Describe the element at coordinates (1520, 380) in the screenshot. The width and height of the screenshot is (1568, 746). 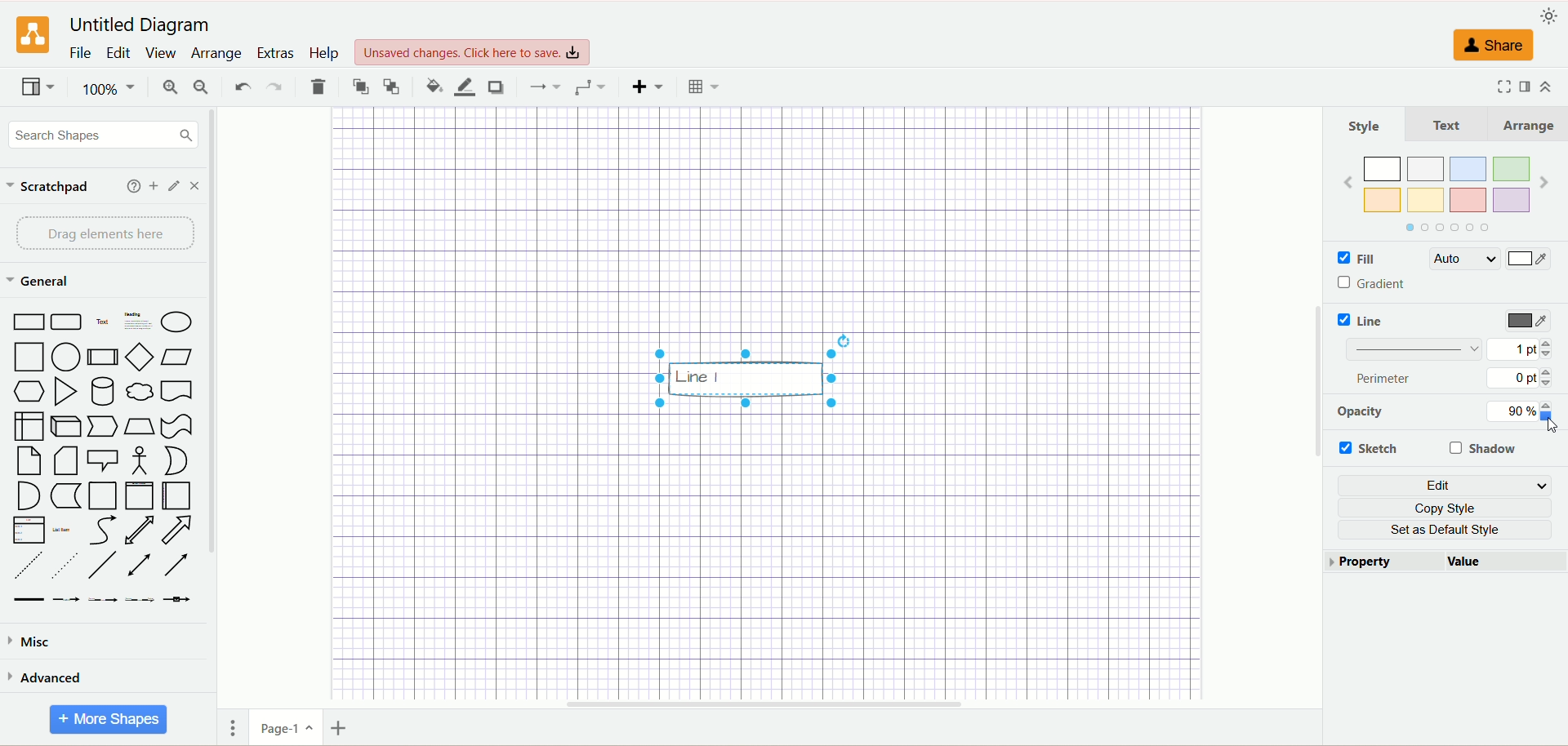
I see `0 pt` at that location.